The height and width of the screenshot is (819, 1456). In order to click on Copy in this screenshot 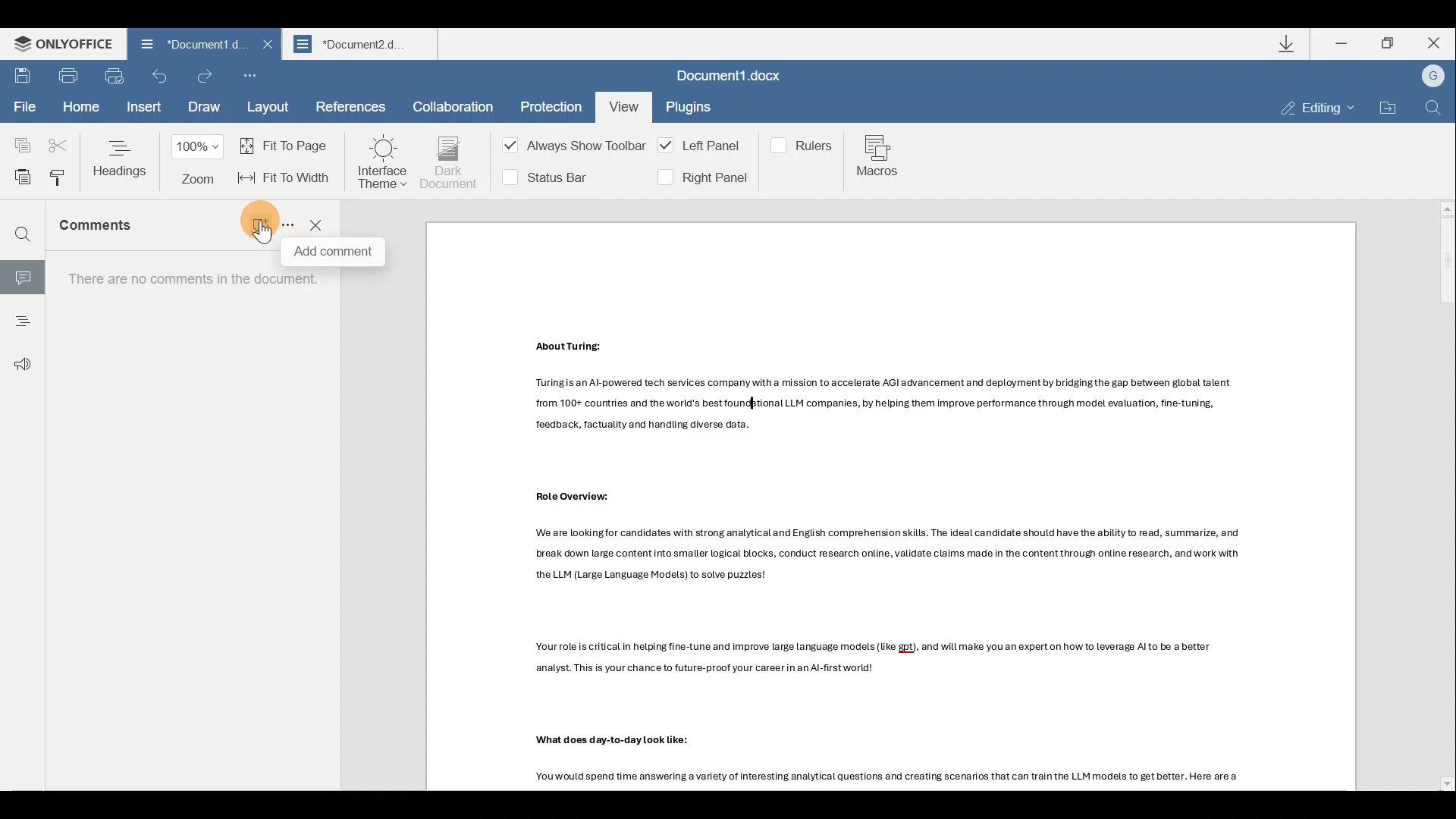, I will do `click(17, 139)`.